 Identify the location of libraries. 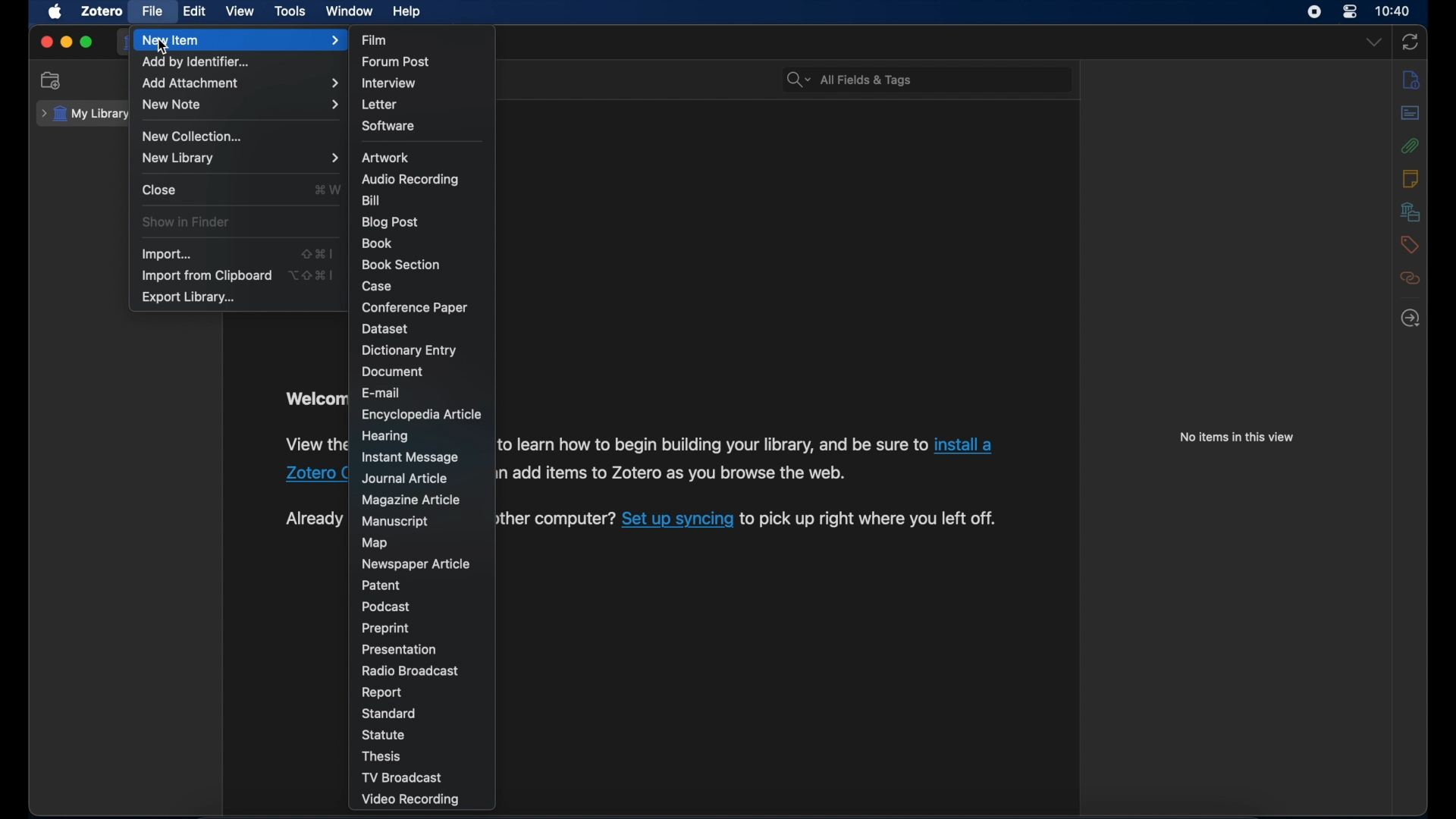
(1407, 212).